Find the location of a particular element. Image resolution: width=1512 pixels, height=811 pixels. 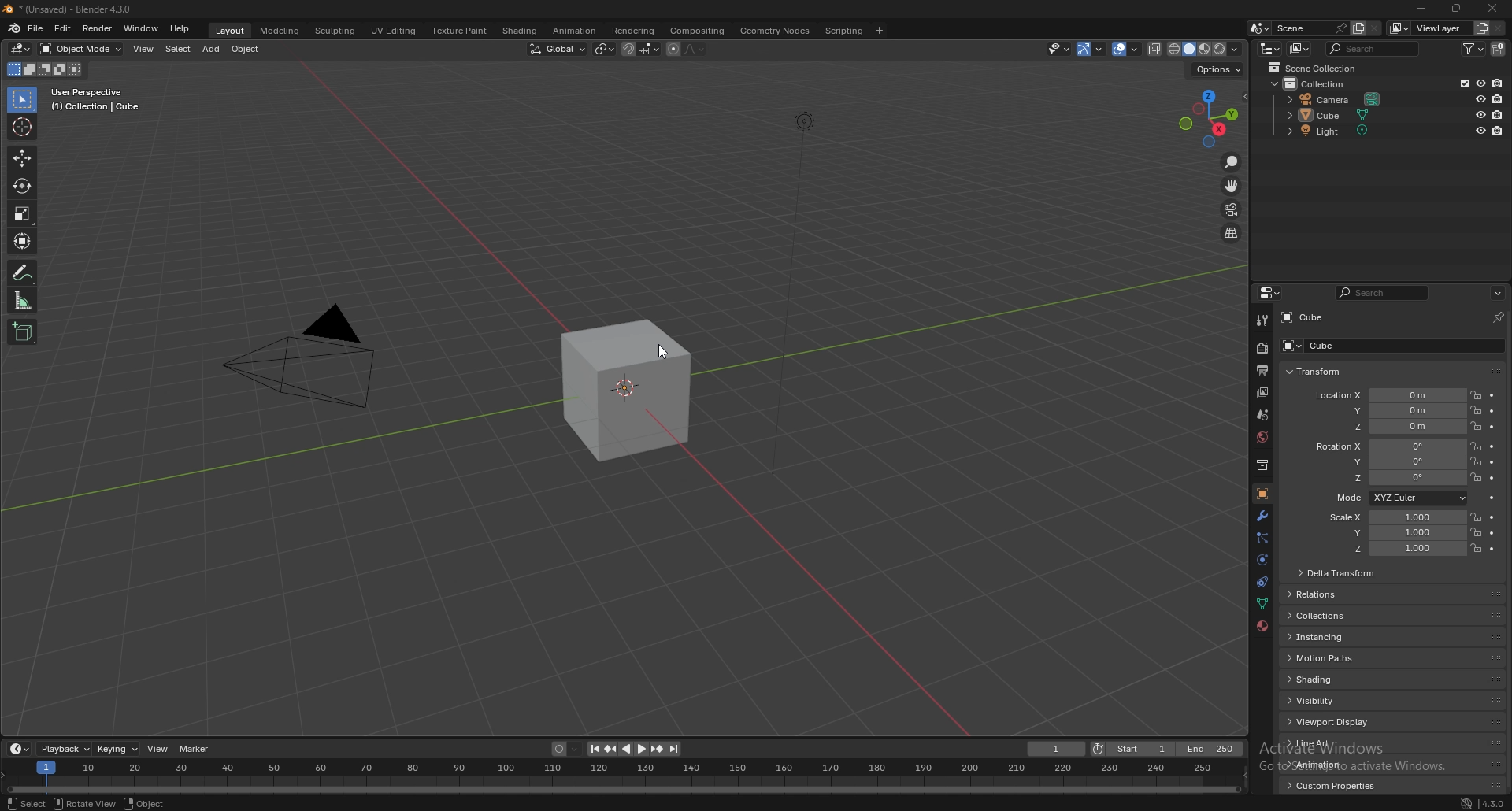

exclude from viewlayer is located at coordinates (1459, 83).